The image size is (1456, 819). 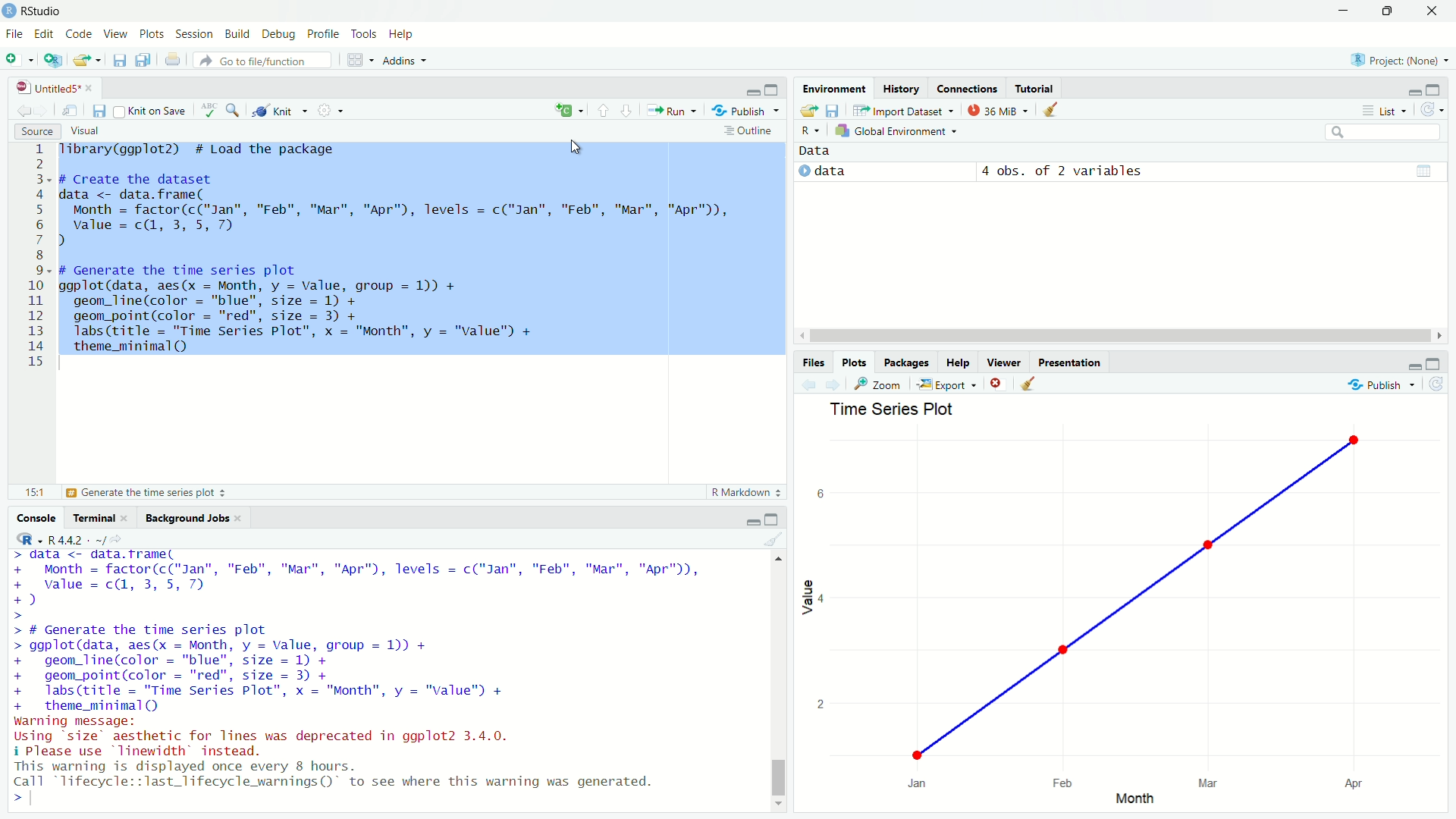 I want to click on time series plot, so click(x=890, y=409).